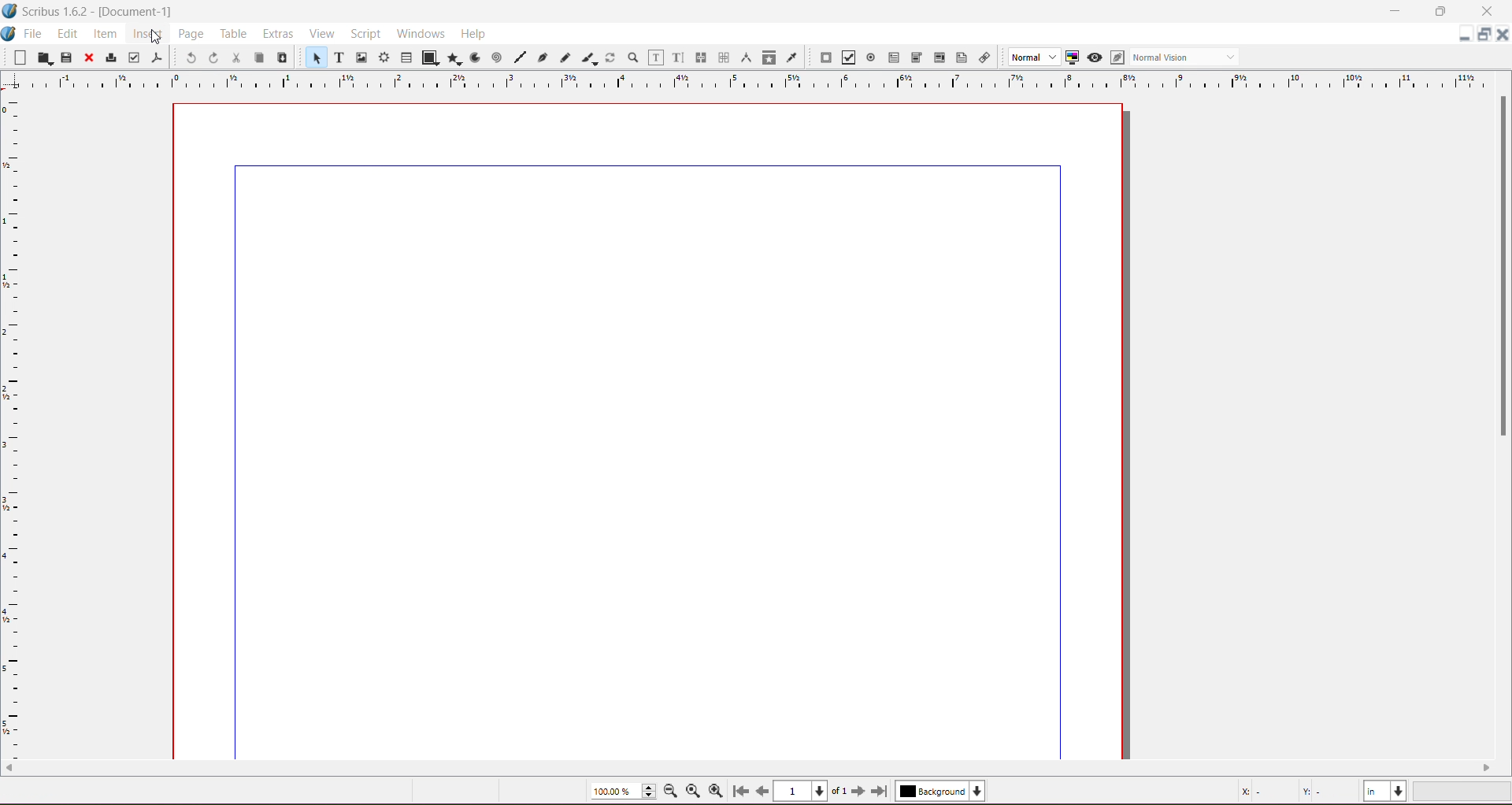  What do you see at coordinates (68, 35) in the screenshot?
I see `Edit` at bounding box center [68, 35].